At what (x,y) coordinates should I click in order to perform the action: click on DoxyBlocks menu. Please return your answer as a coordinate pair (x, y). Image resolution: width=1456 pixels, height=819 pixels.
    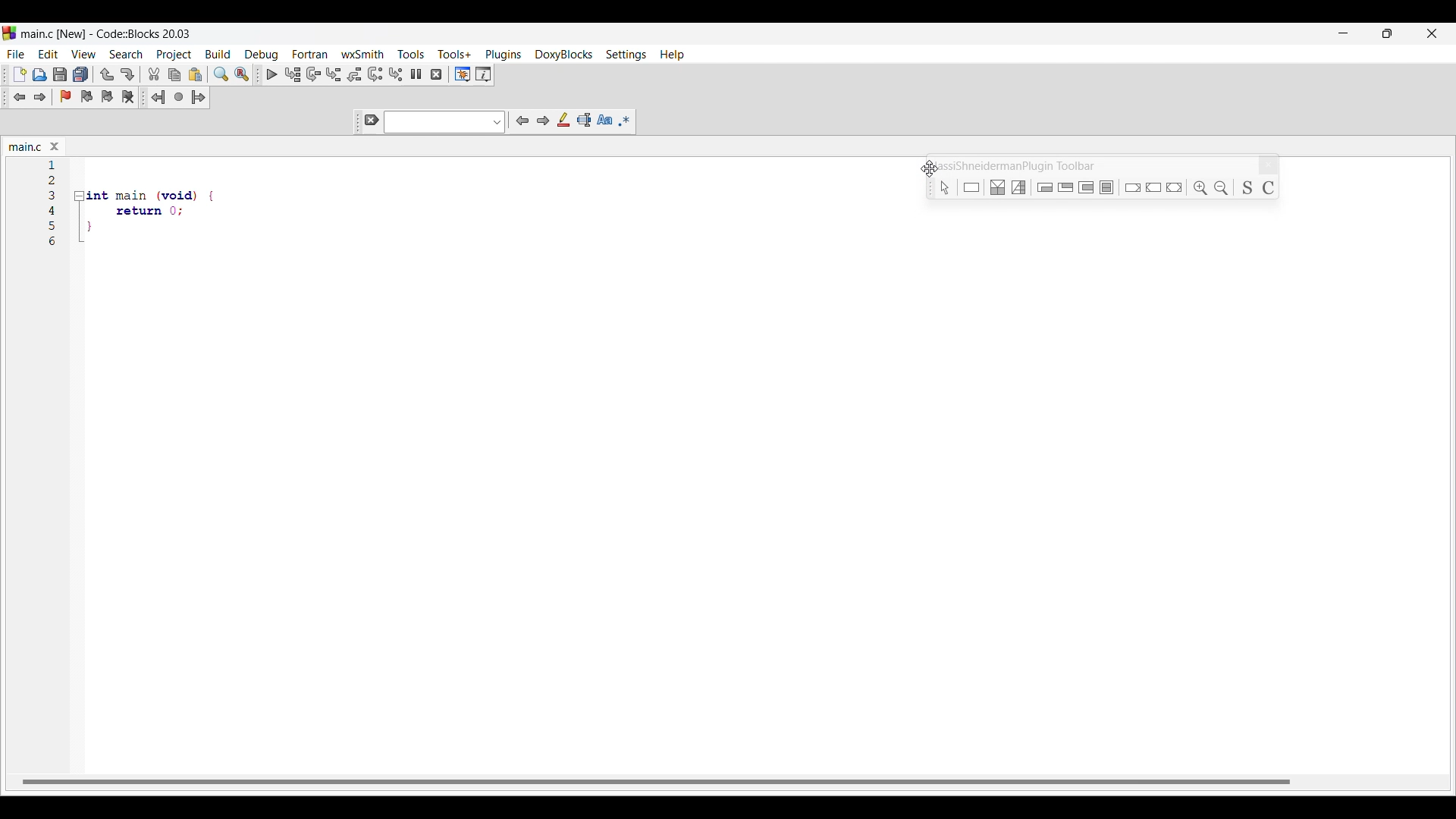
    Looking at the image, I should click on (563, 55).